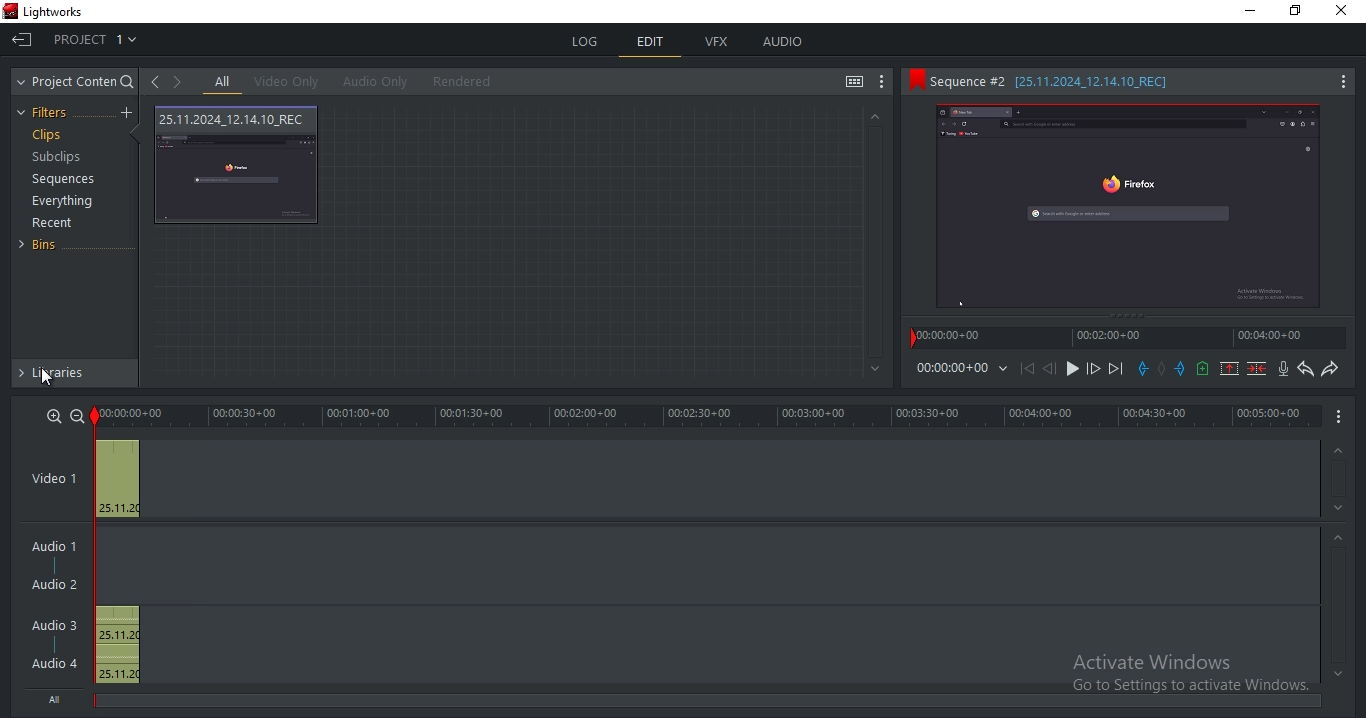 The image size is (1366, 718). Describe the element at coordinates (1230, 369) in the screenshot. I see `remove the marked section` at that location.